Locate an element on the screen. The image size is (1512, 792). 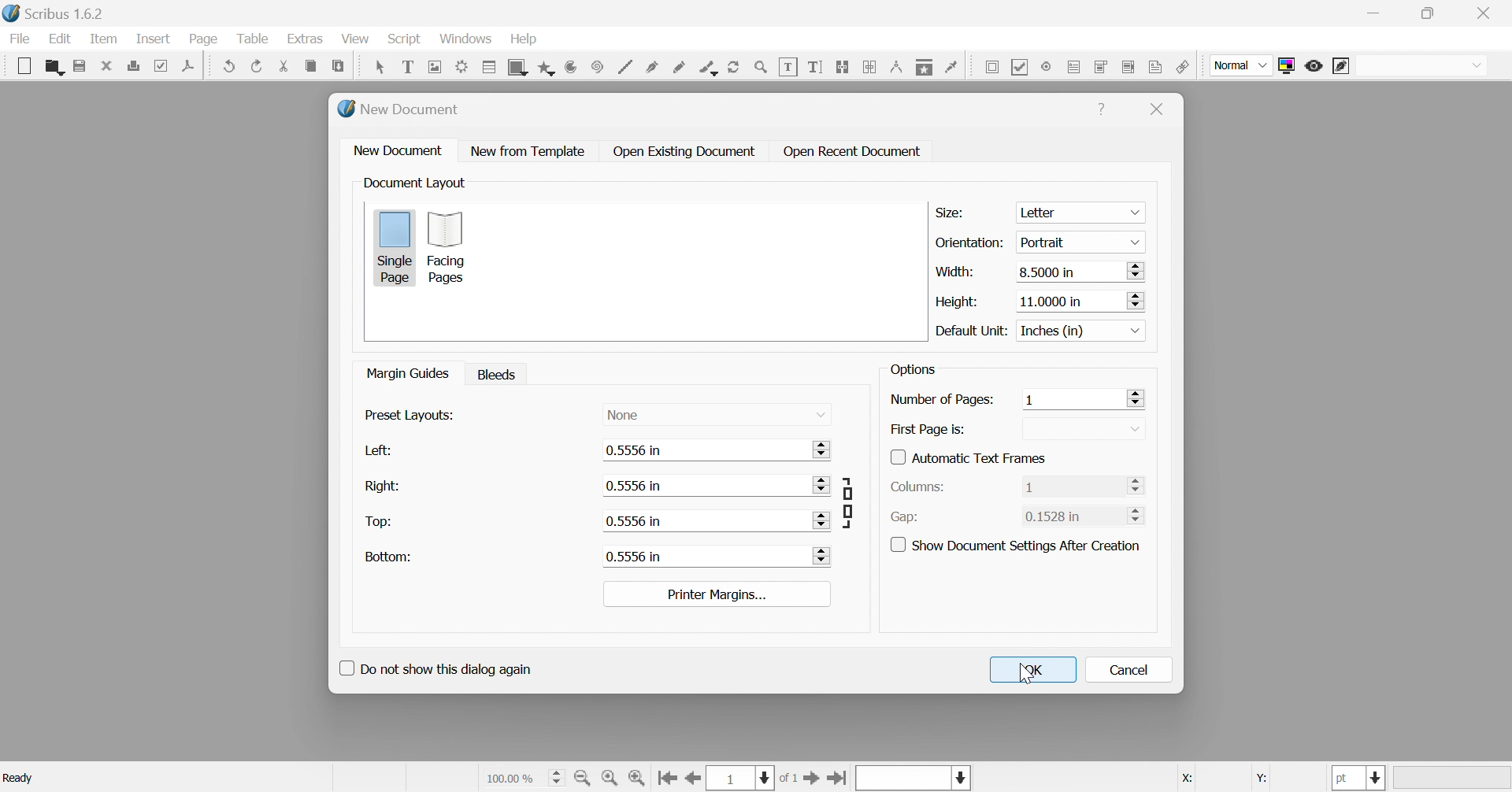
drop down is located at coordinates (821, 415).